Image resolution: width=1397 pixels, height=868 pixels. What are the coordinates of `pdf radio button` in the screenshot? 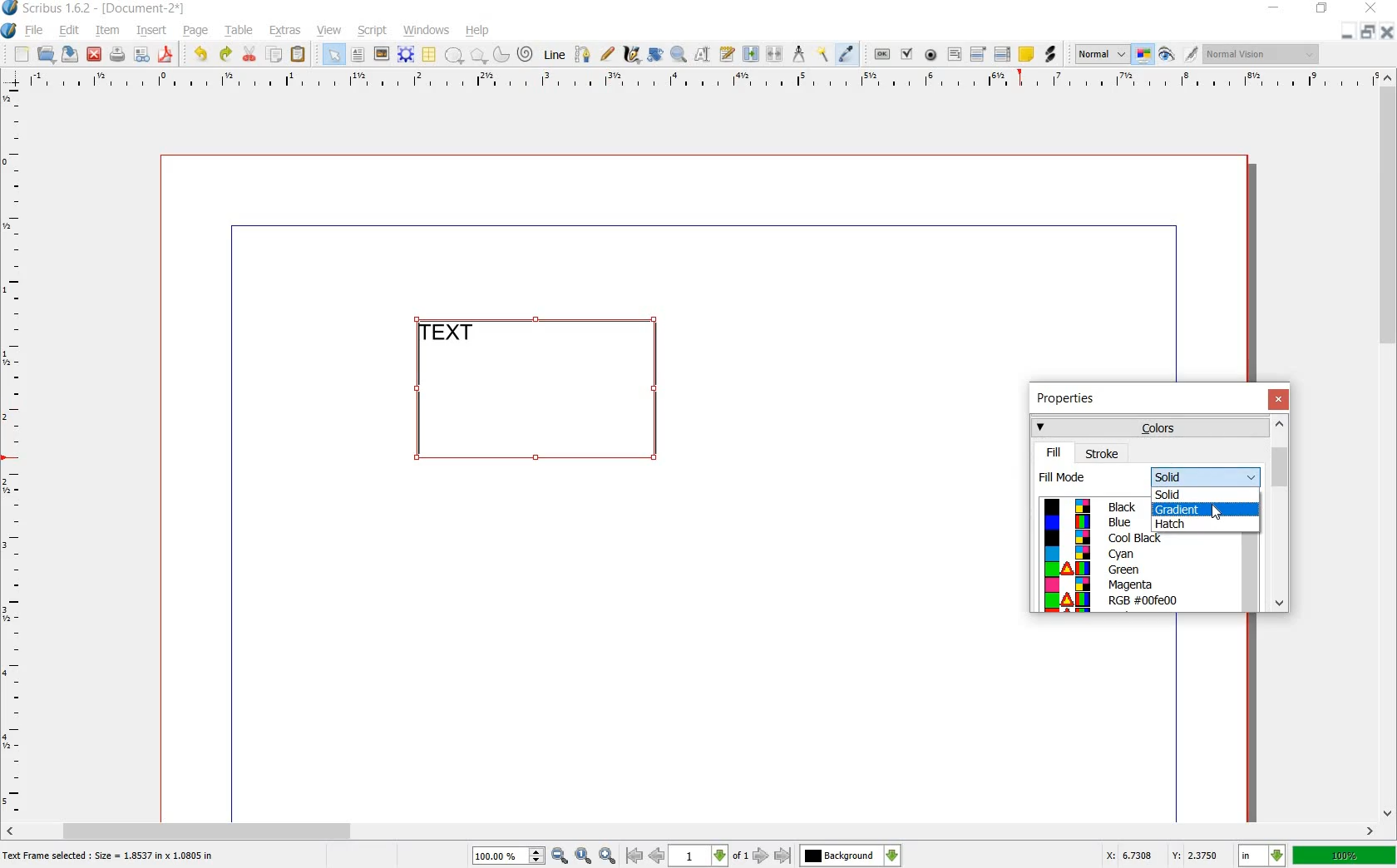 It's located at (931, 55).